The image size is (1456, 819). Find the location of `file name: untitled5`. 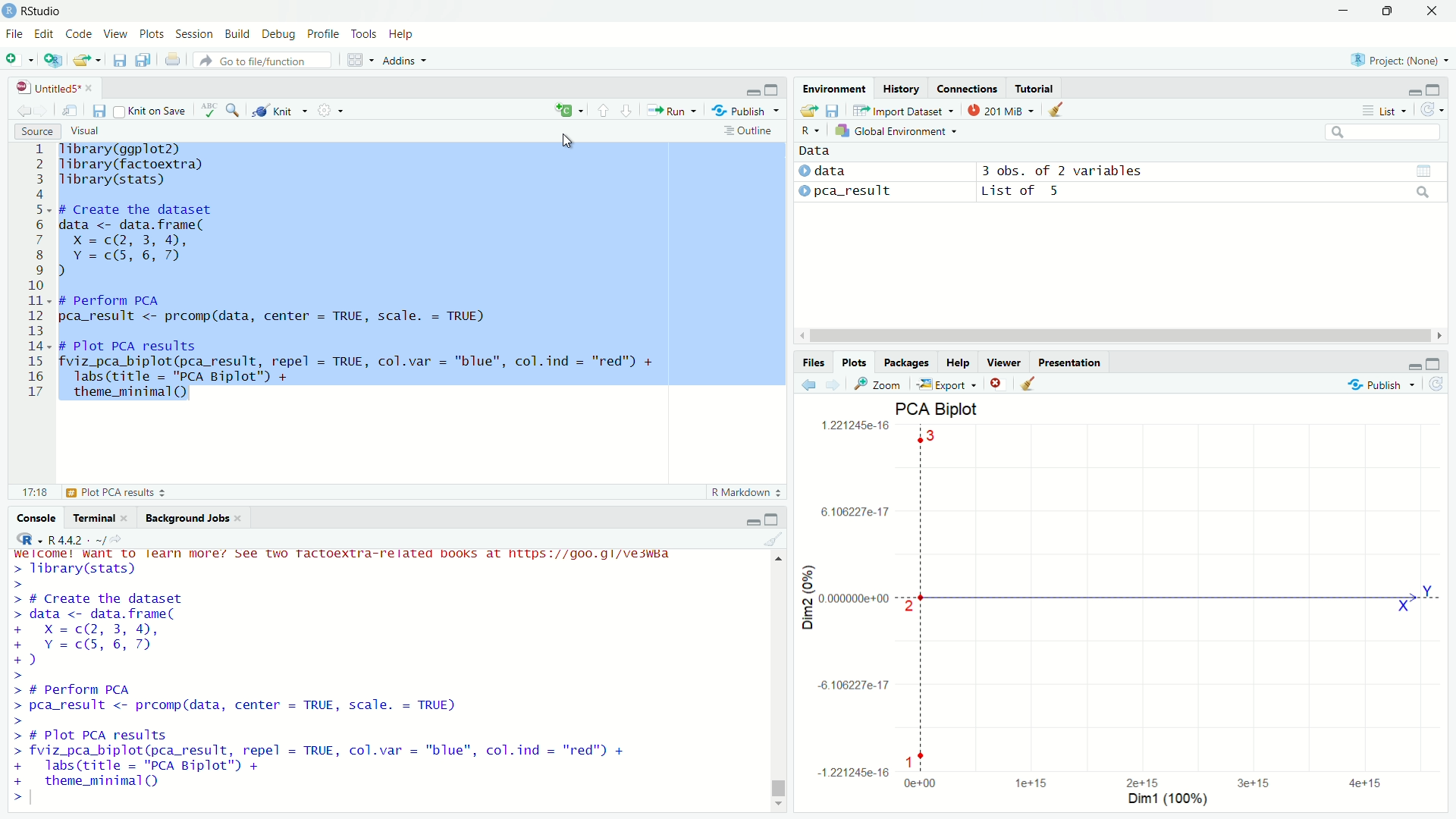

file name: untitled5 is located at coordinates (55, 87).